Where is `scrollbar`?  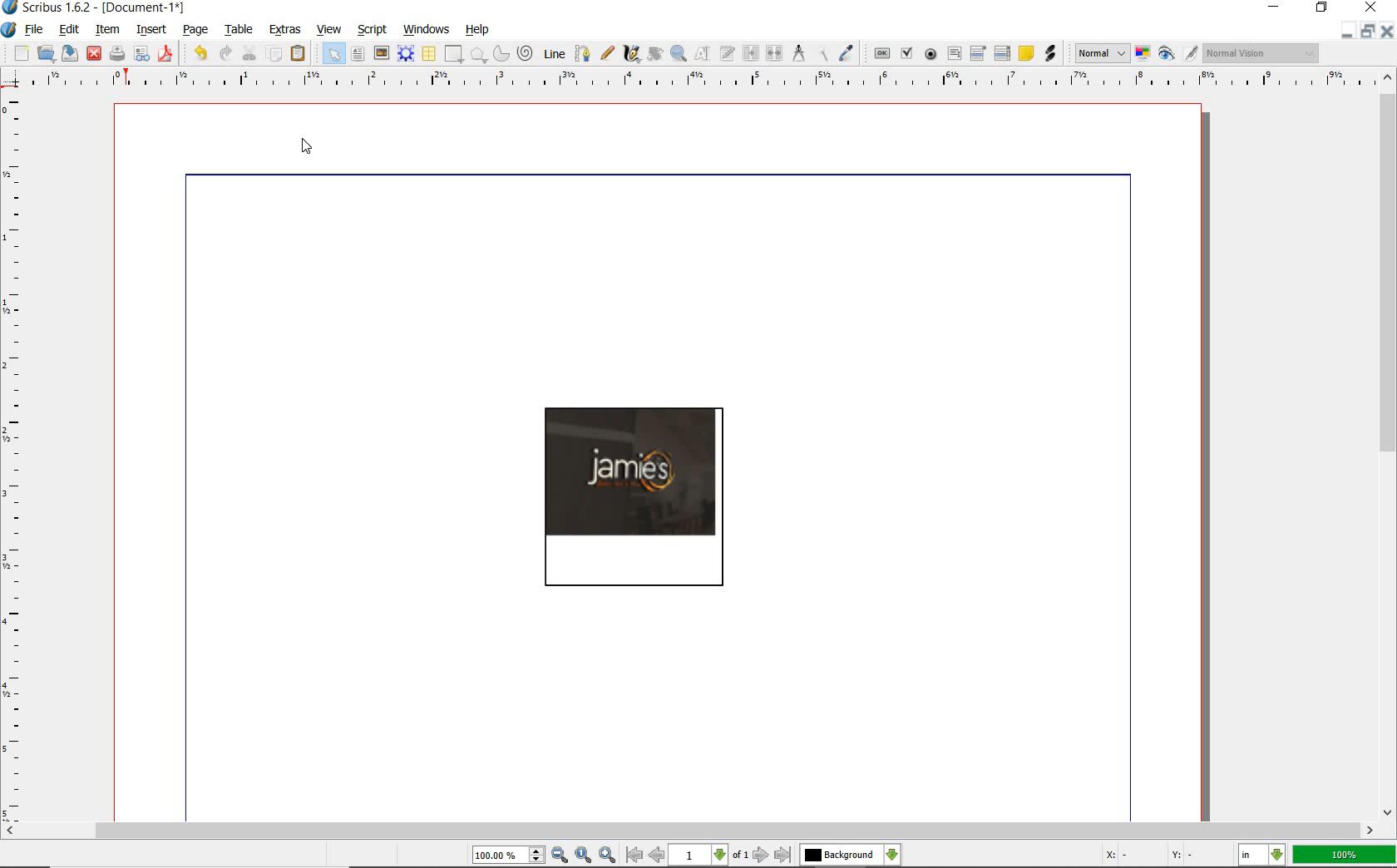 scrollbar is located at coordinates (1389, 445).